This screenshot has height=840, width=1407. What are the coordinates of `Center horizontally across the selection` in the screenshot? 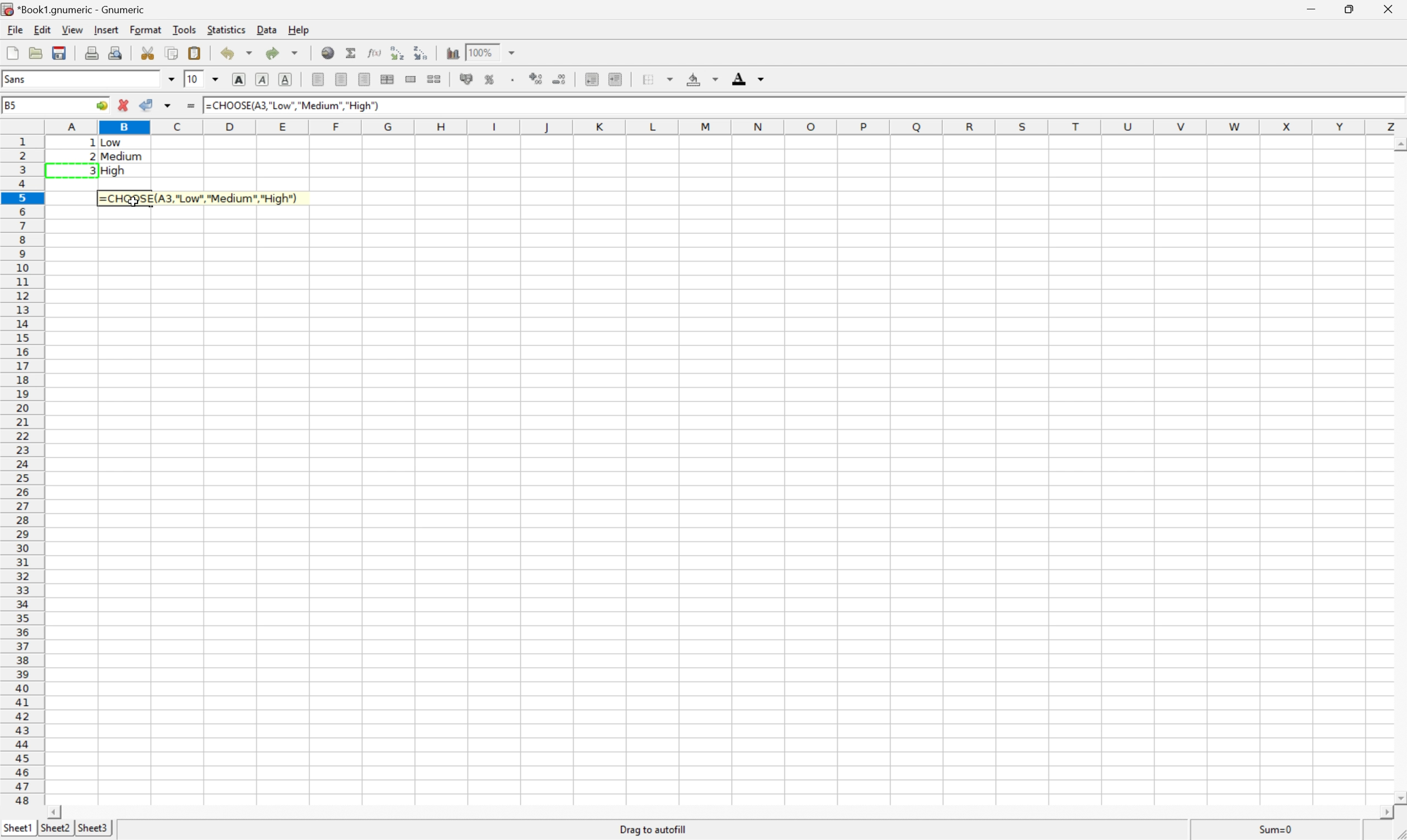 It's located at (386, 78).